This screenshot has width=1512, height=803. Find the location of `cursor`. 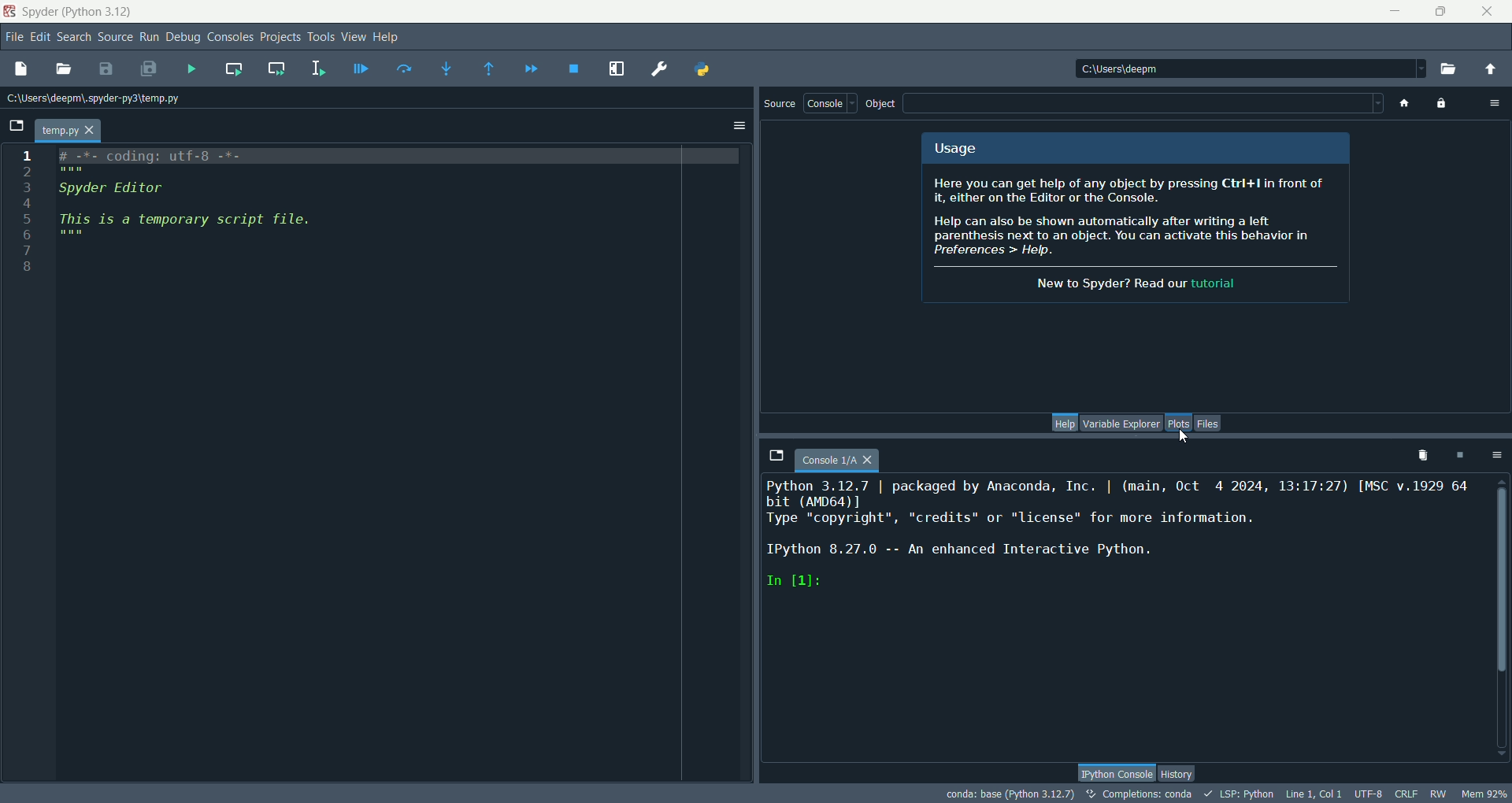

cursor is located at coordinates (1184, 435).